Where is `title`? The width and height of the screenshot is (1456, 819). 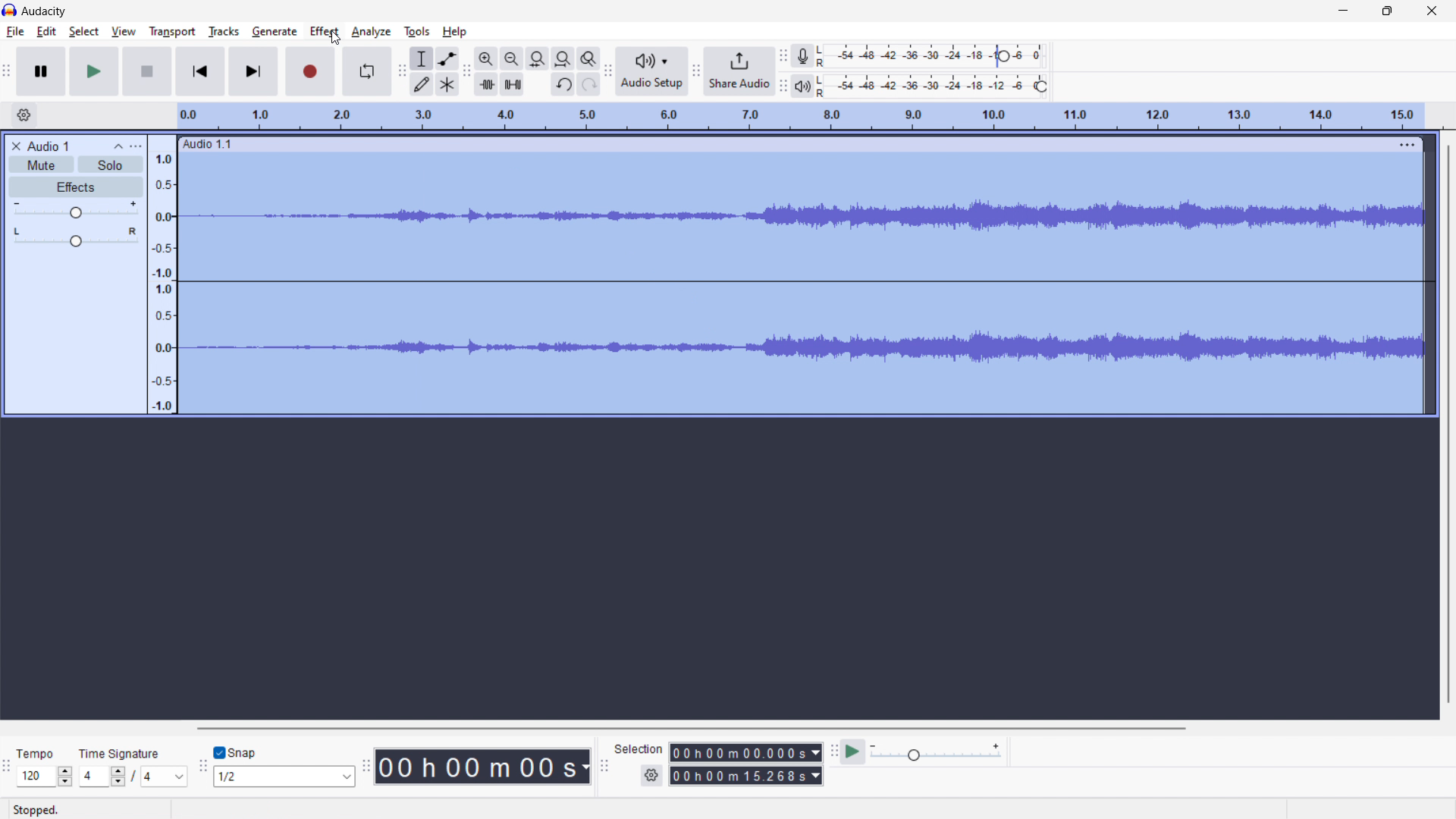
title is located at coordinates (47, 146).